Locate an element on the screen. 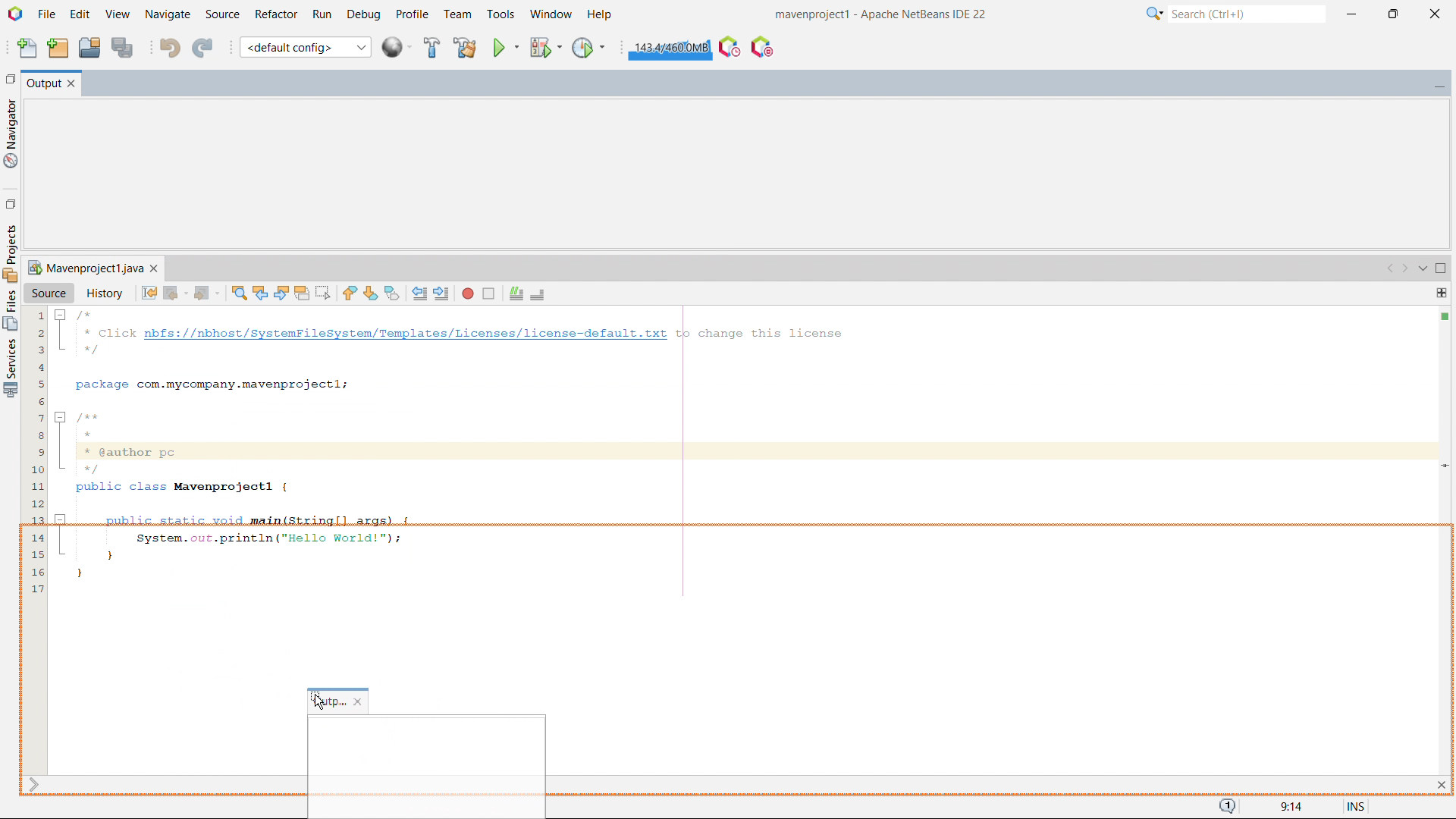 The height and width of the screenshot is (819, 1456). services is located at coordinates (10, 252).